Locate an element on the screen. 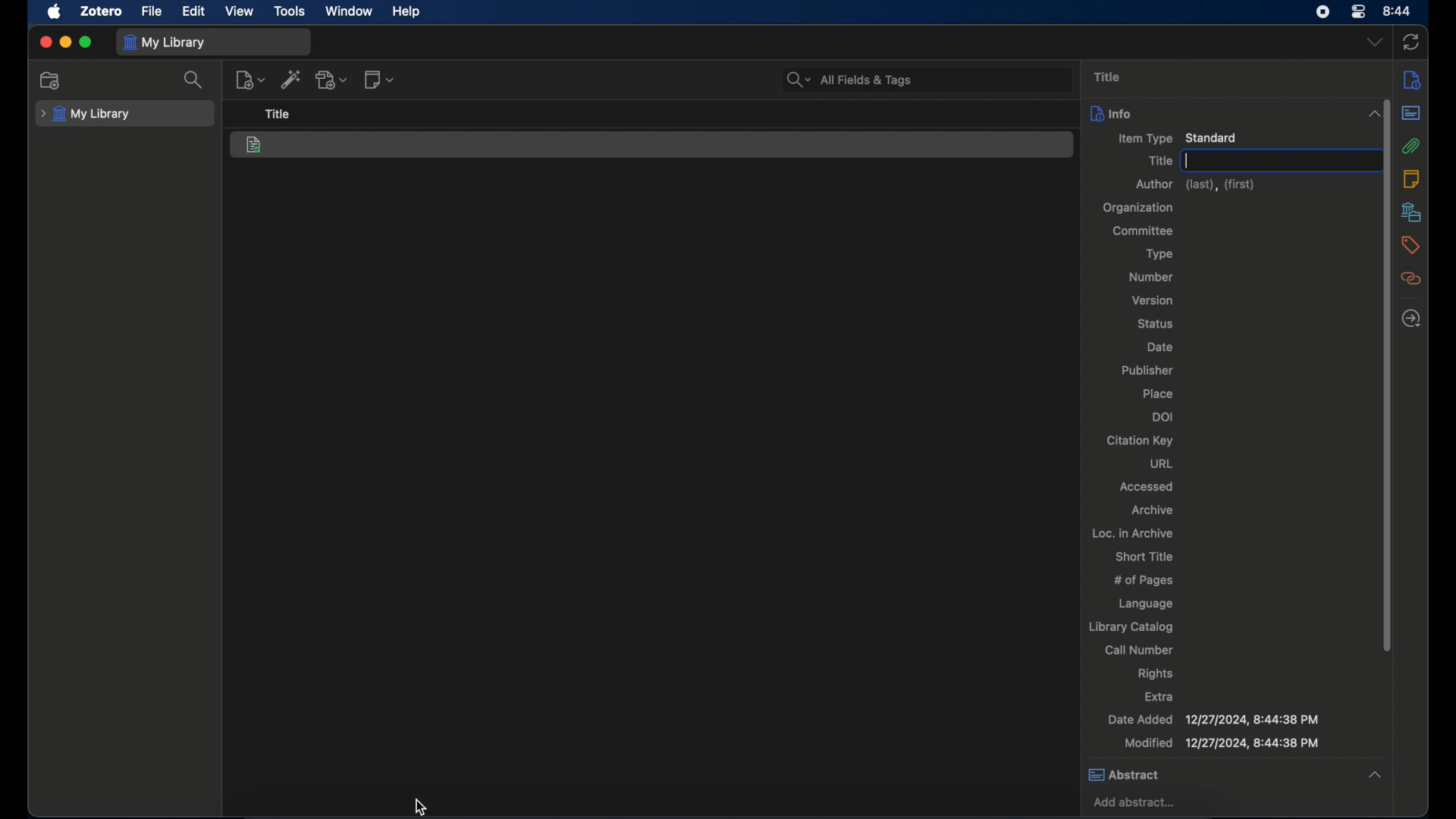  search bar input is located at coordinates (943, 79).